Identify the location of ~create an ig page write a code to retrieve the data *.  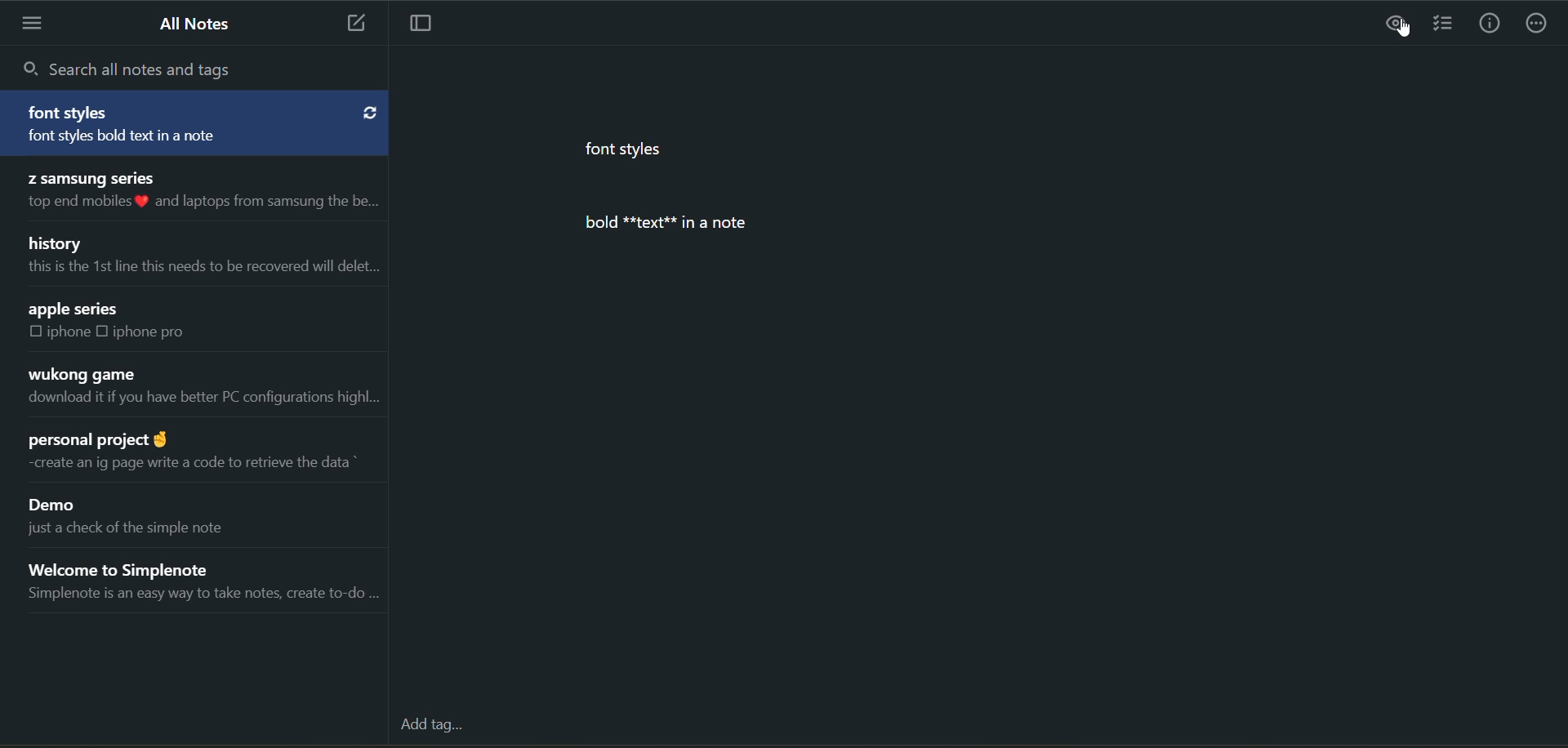
(188, 462).